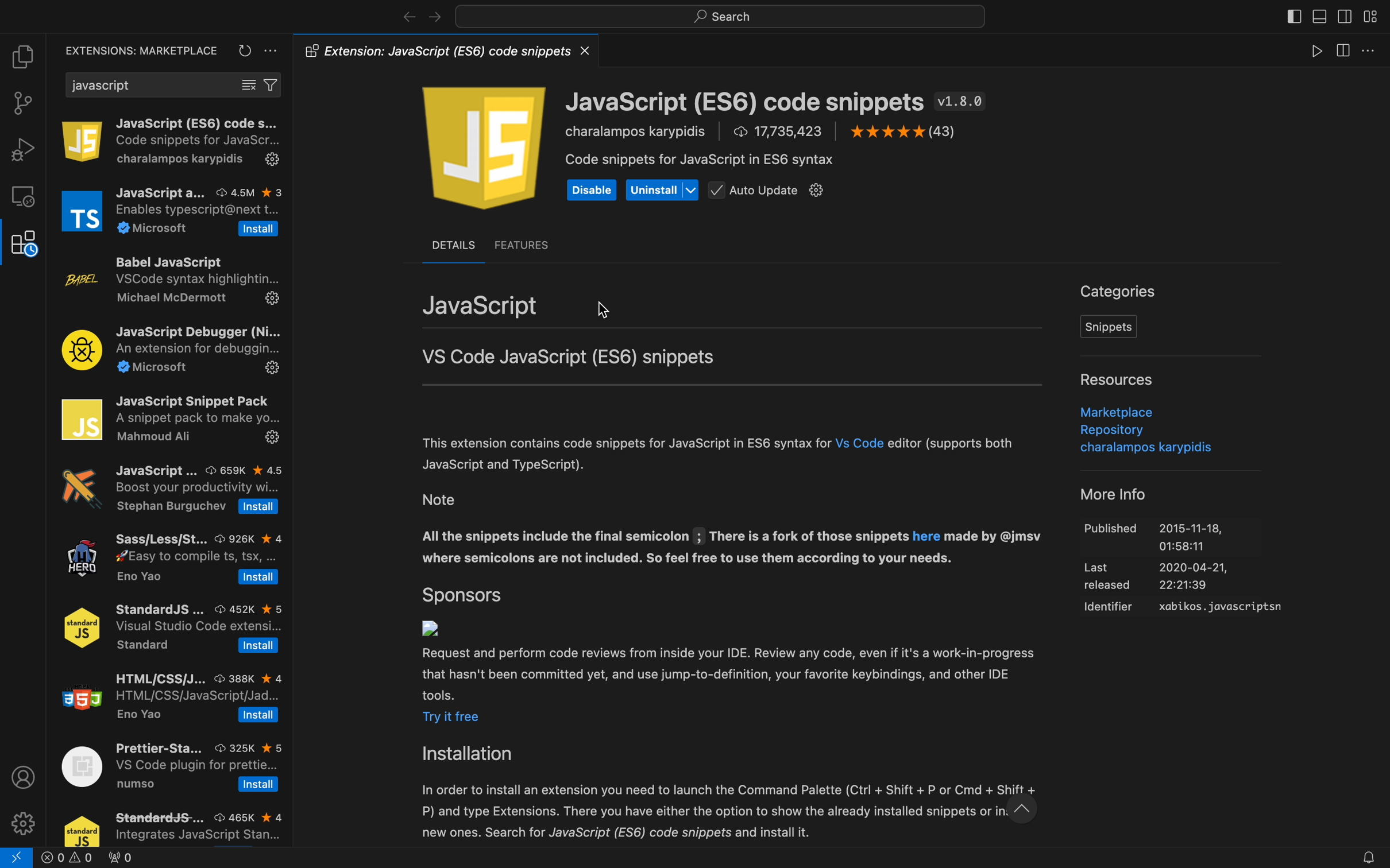 The width and height of the screenshot is (1390, 868). I want to click on , so click(727, 818).